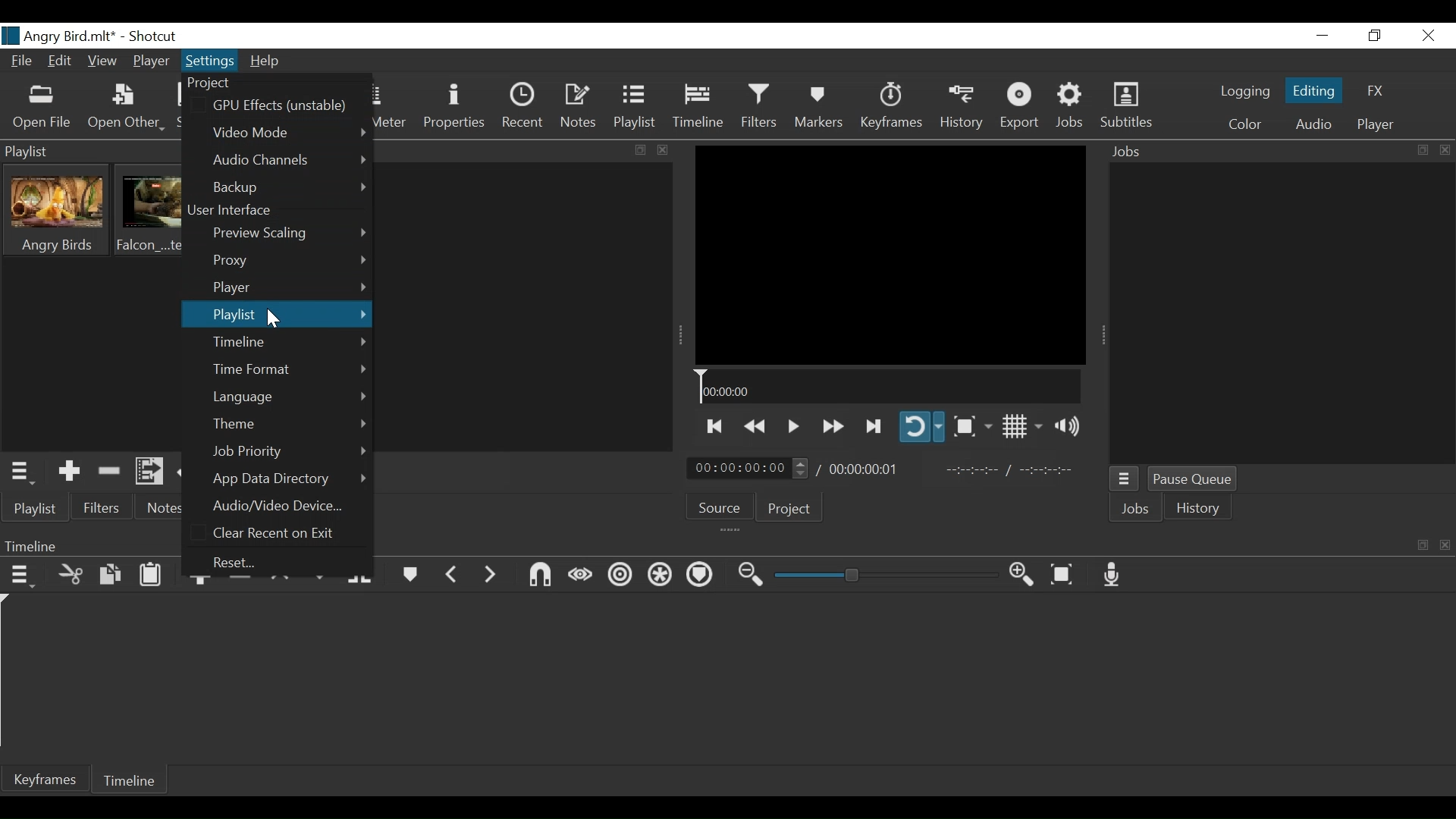 Image resolution: width=1456 pixels, height=819 pixels. Describe the element at coordinates (1376, 125) in the screenshot. I see `Player` at that location.